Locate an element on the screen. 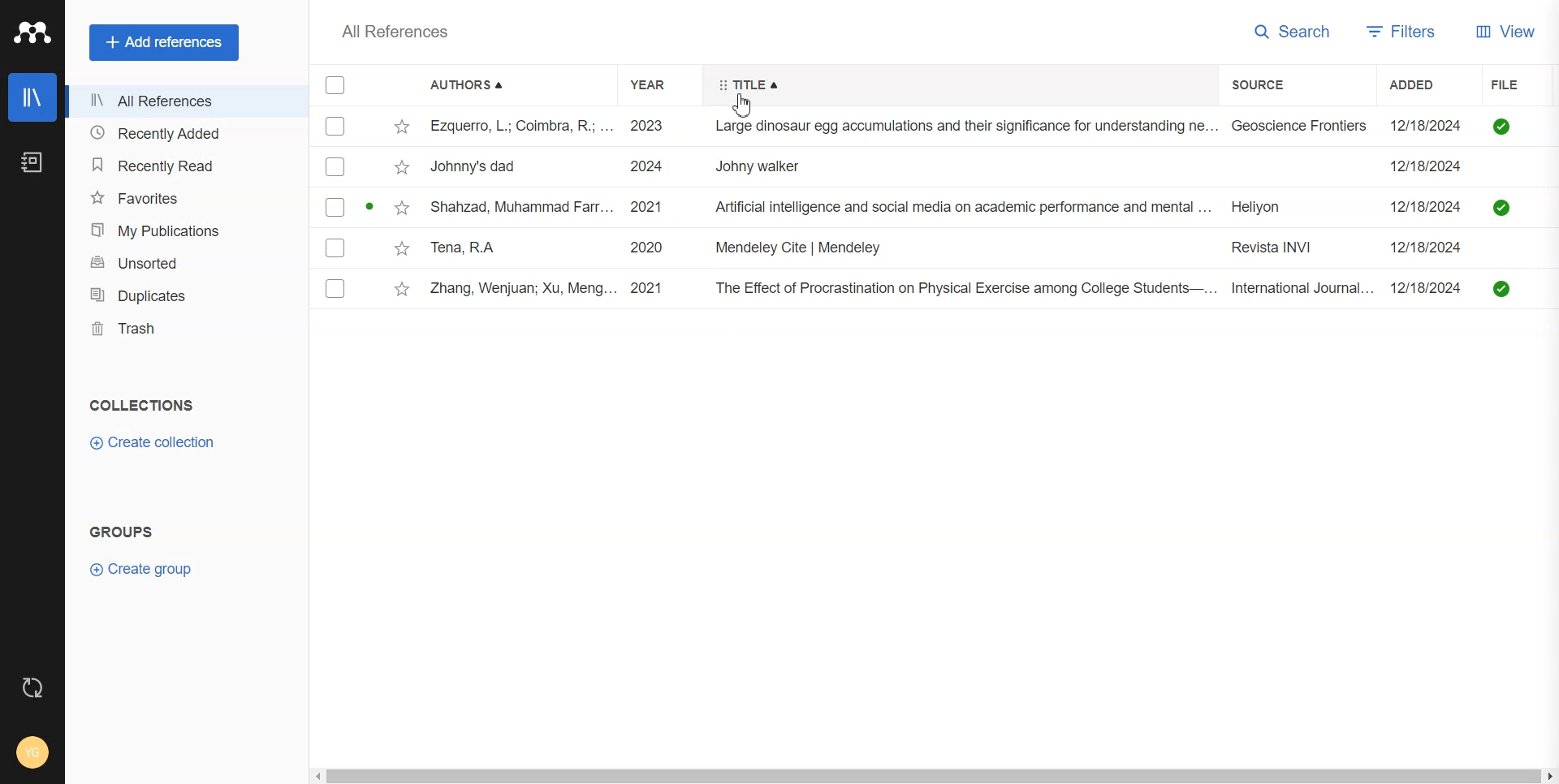 This screenshot has width=1559, height=784. mark as star is located at coordinates (401, 208).